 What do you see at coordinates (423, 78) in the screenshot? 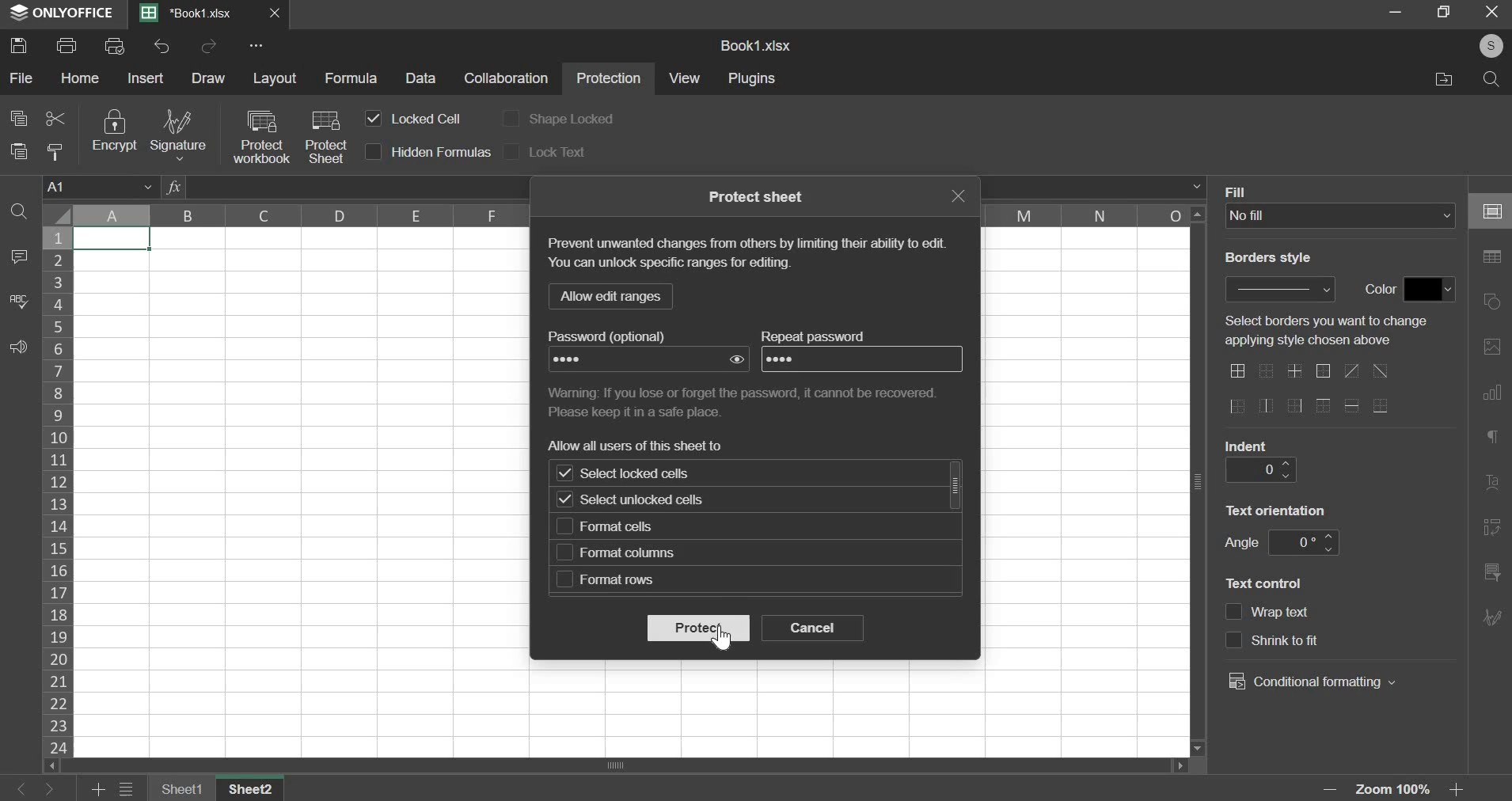
I see `data` at bounding box center [423, 78].